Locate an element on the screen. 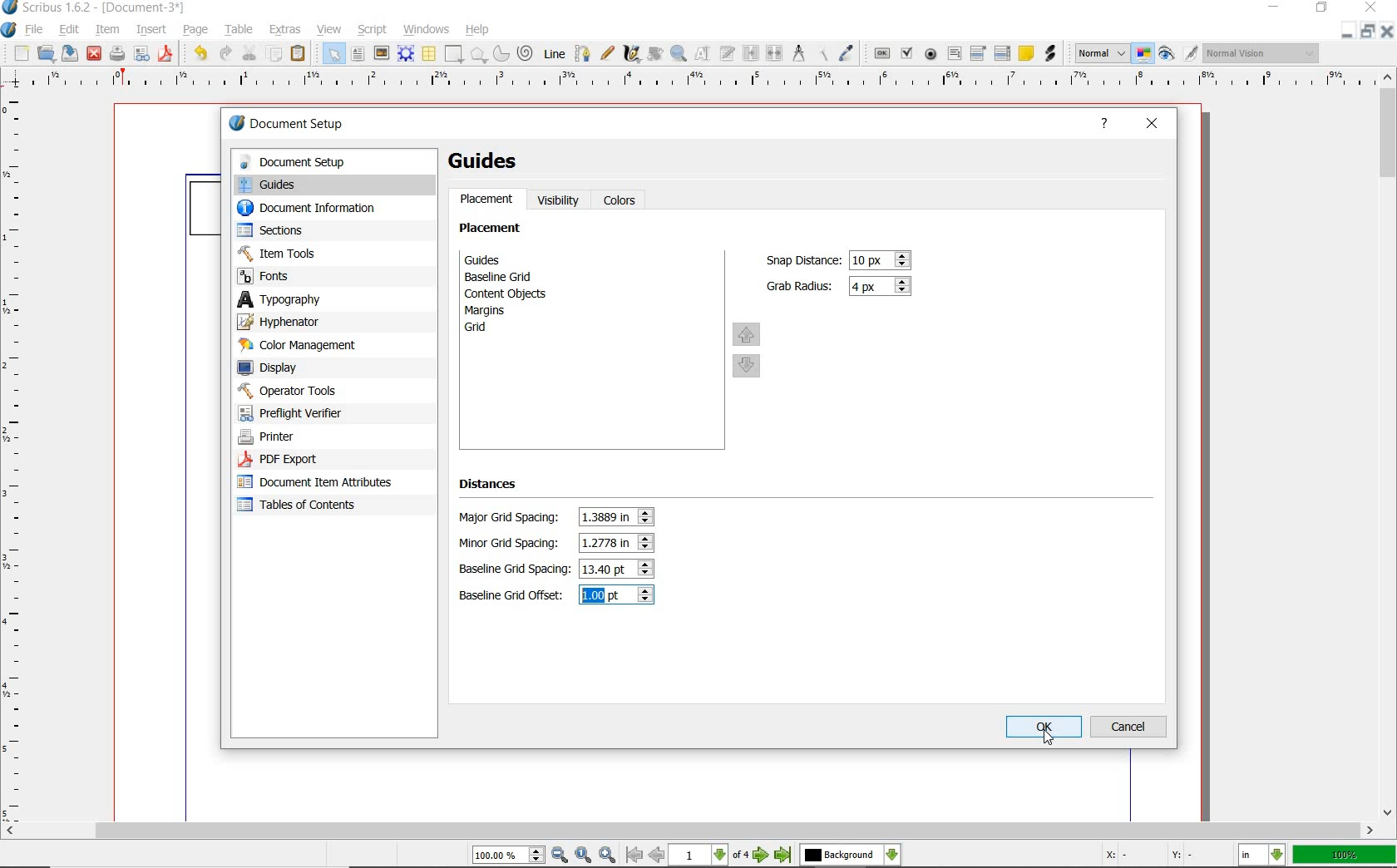 The width and height of the screenshot is (1397, 868). line is located at coordinates (554, 52).